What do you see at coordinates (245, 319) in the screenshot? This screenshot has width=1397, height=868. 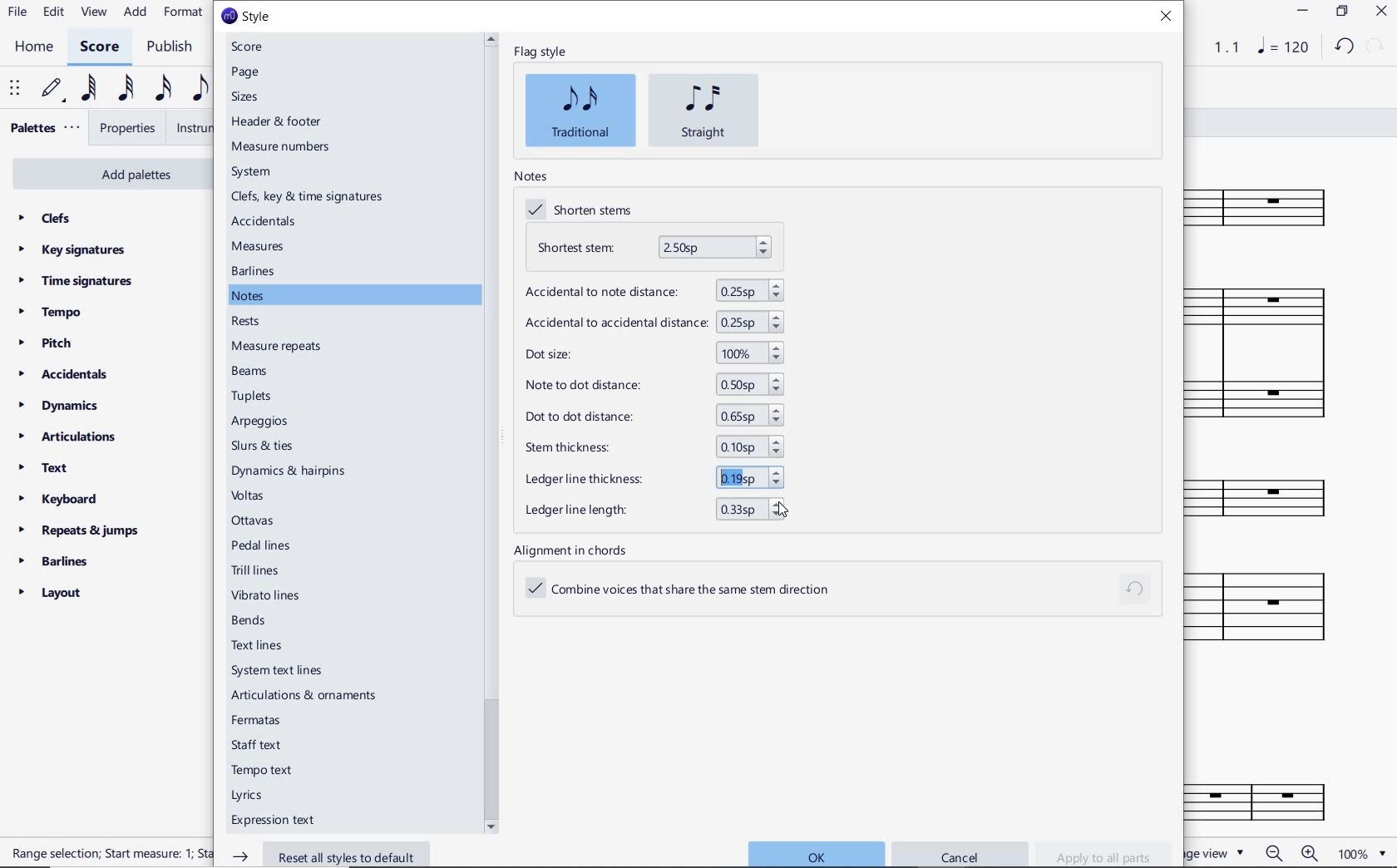 I see `rests` at bounding box center [245, 319].